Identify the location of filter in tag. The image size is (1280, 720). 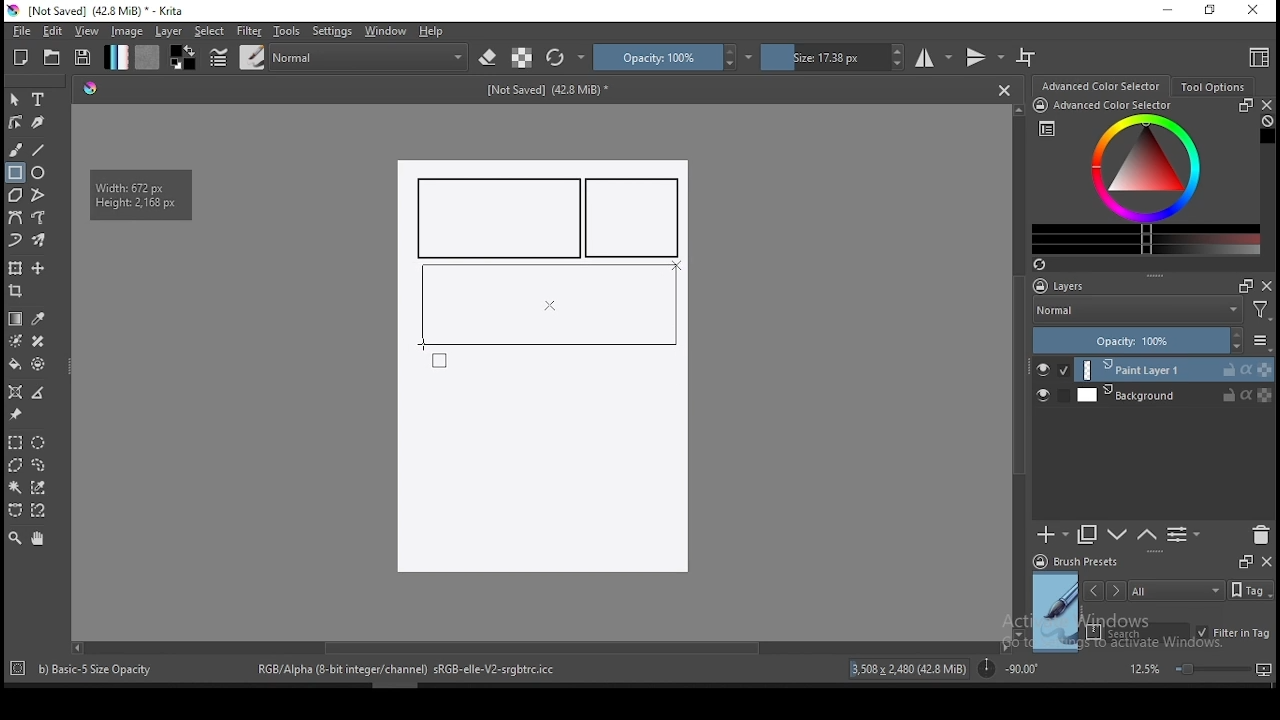
(1233, 634).